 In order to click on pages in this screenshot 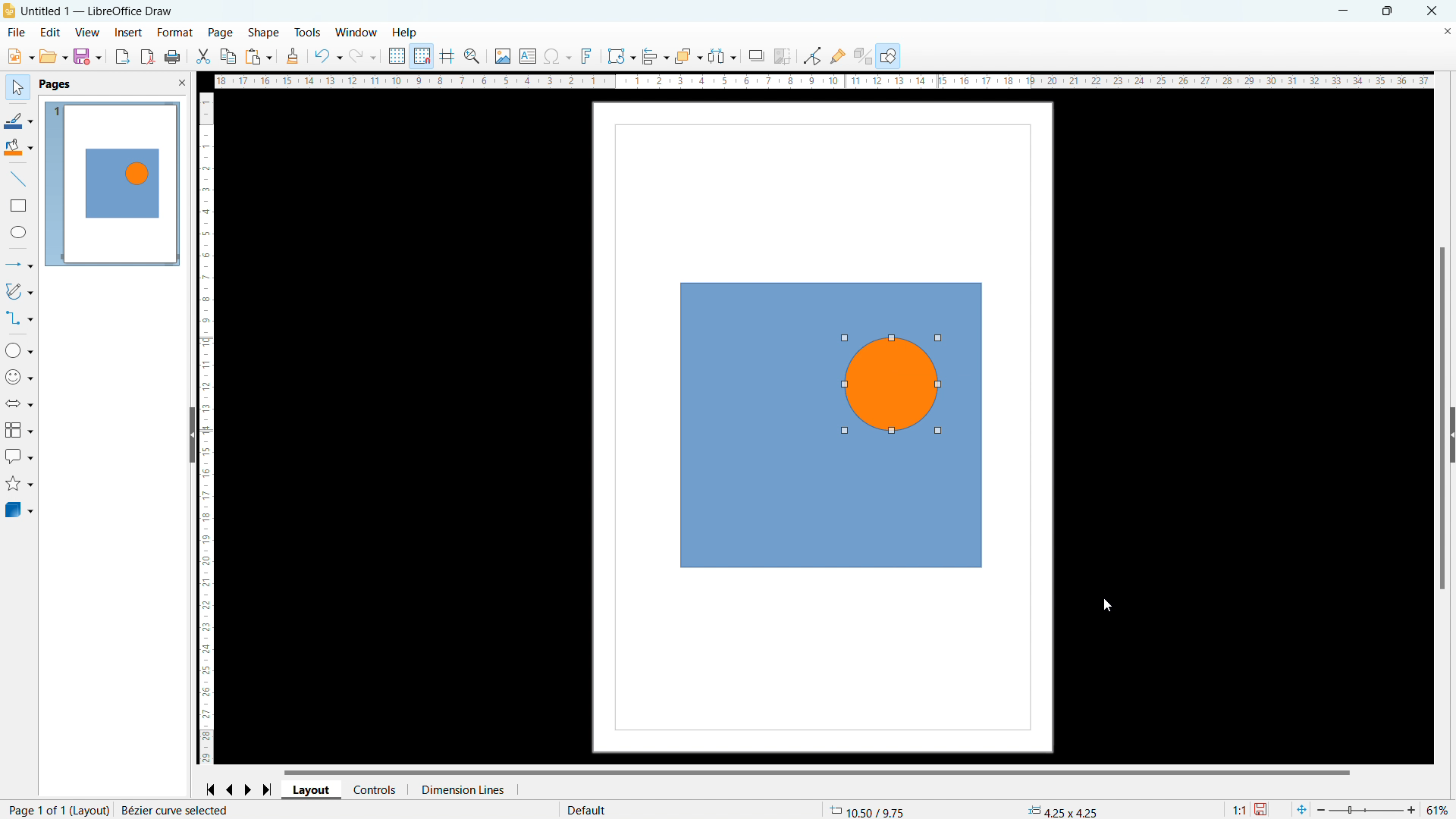, I will do `click(56, 84)`.